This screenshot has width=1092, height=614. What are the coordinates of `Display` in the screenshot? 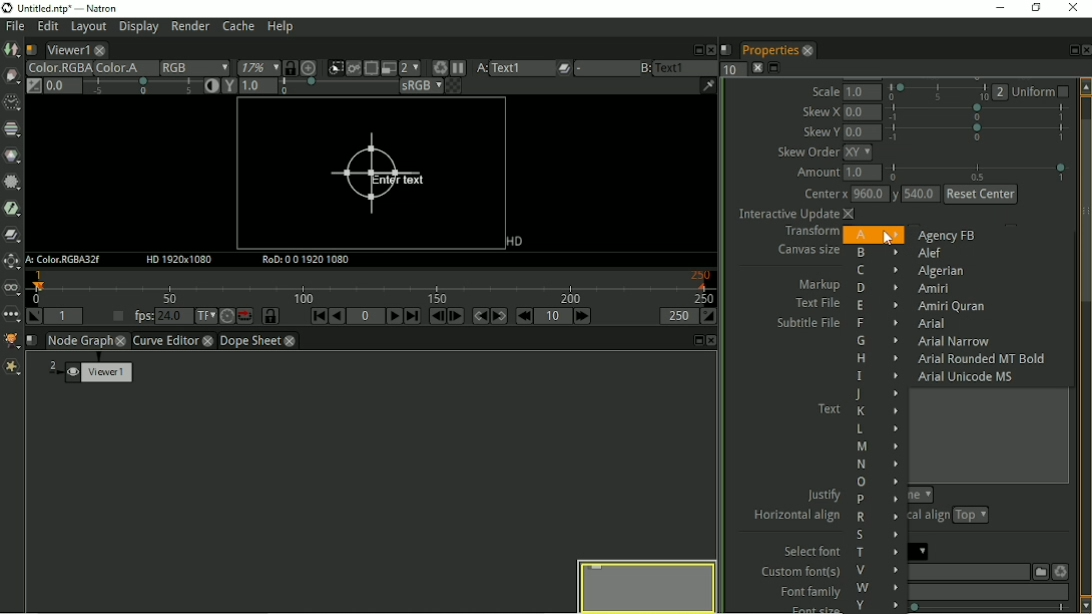 It's located at (138, 29).